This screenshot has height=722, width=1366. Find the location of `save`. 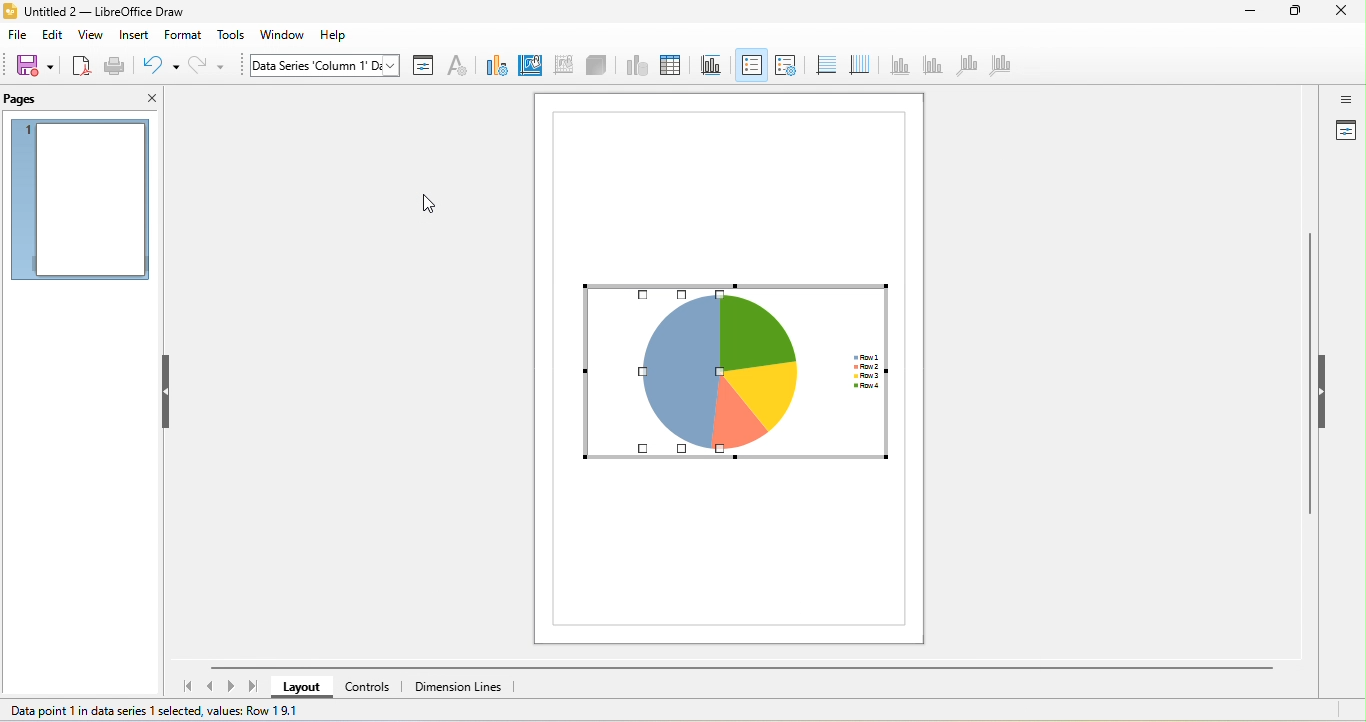

save is located at coordinates (34, 65).